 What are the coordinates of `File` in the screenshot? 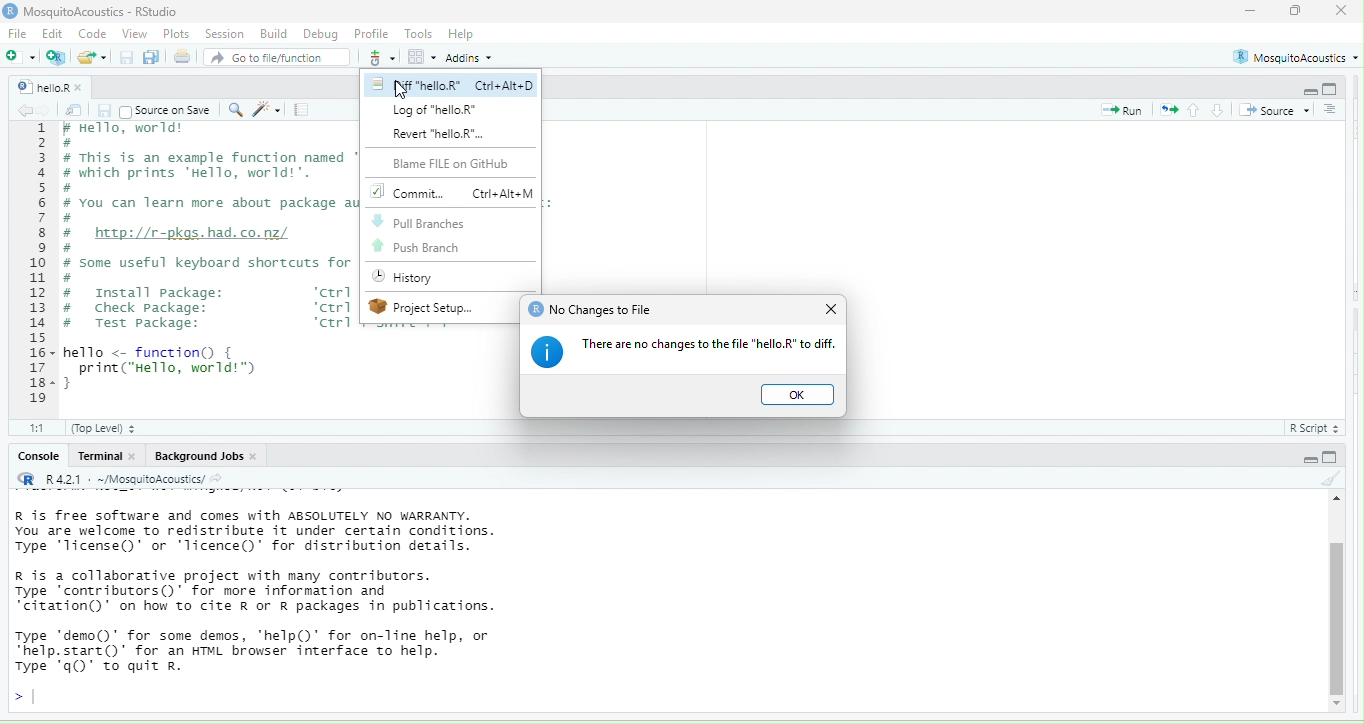 It's located at (19, 35).